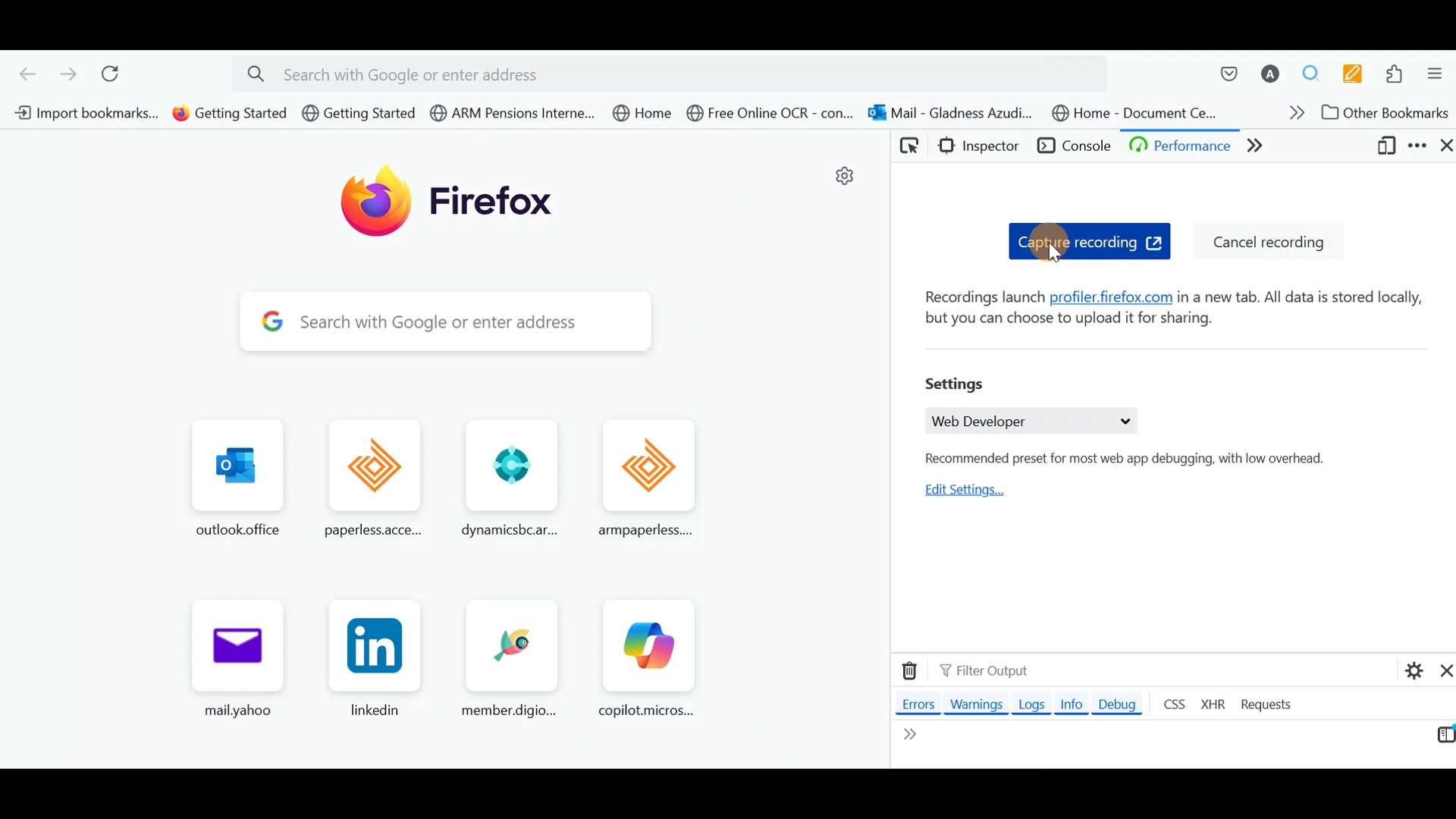  I want to click on Bookmark 8, so click(1131, 112).